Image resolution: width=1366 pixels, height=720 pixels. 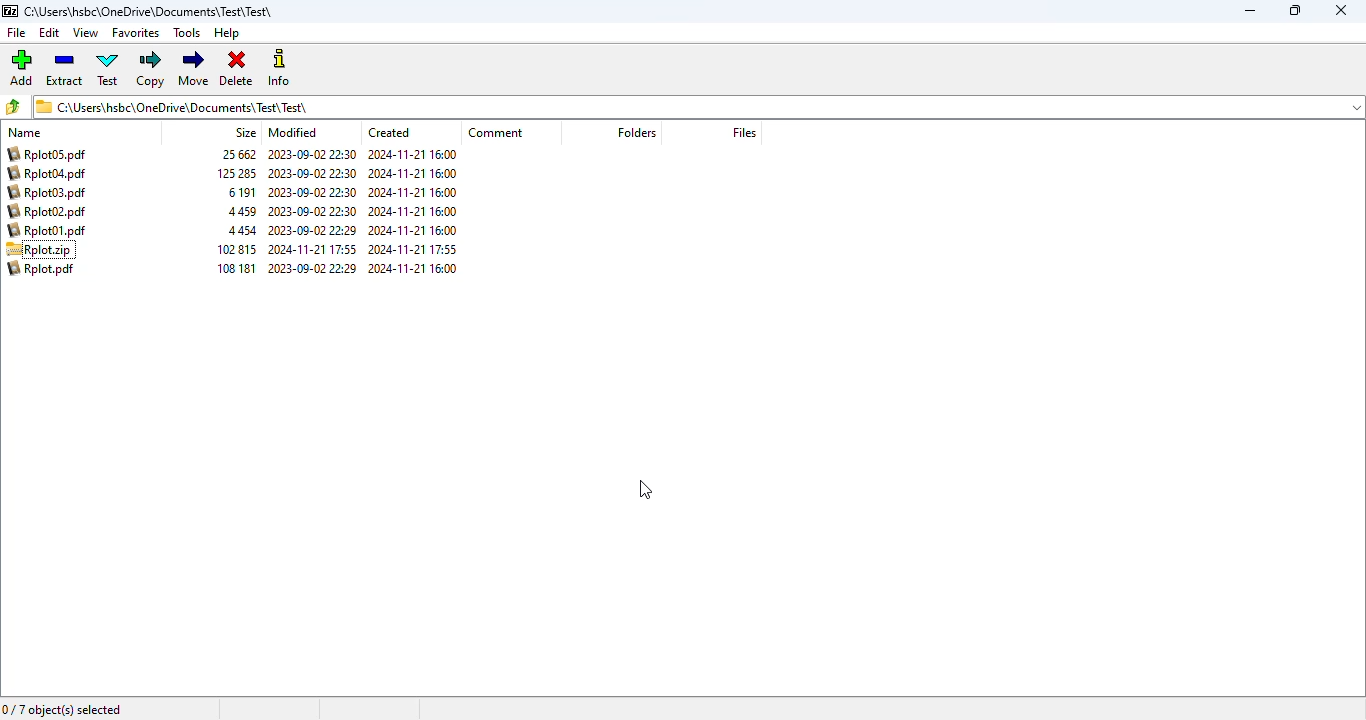 What do you see at coordinates (311, 212) in the screenshot?
I see `2023-09-02 22:30` at bounding box center [311, 212].